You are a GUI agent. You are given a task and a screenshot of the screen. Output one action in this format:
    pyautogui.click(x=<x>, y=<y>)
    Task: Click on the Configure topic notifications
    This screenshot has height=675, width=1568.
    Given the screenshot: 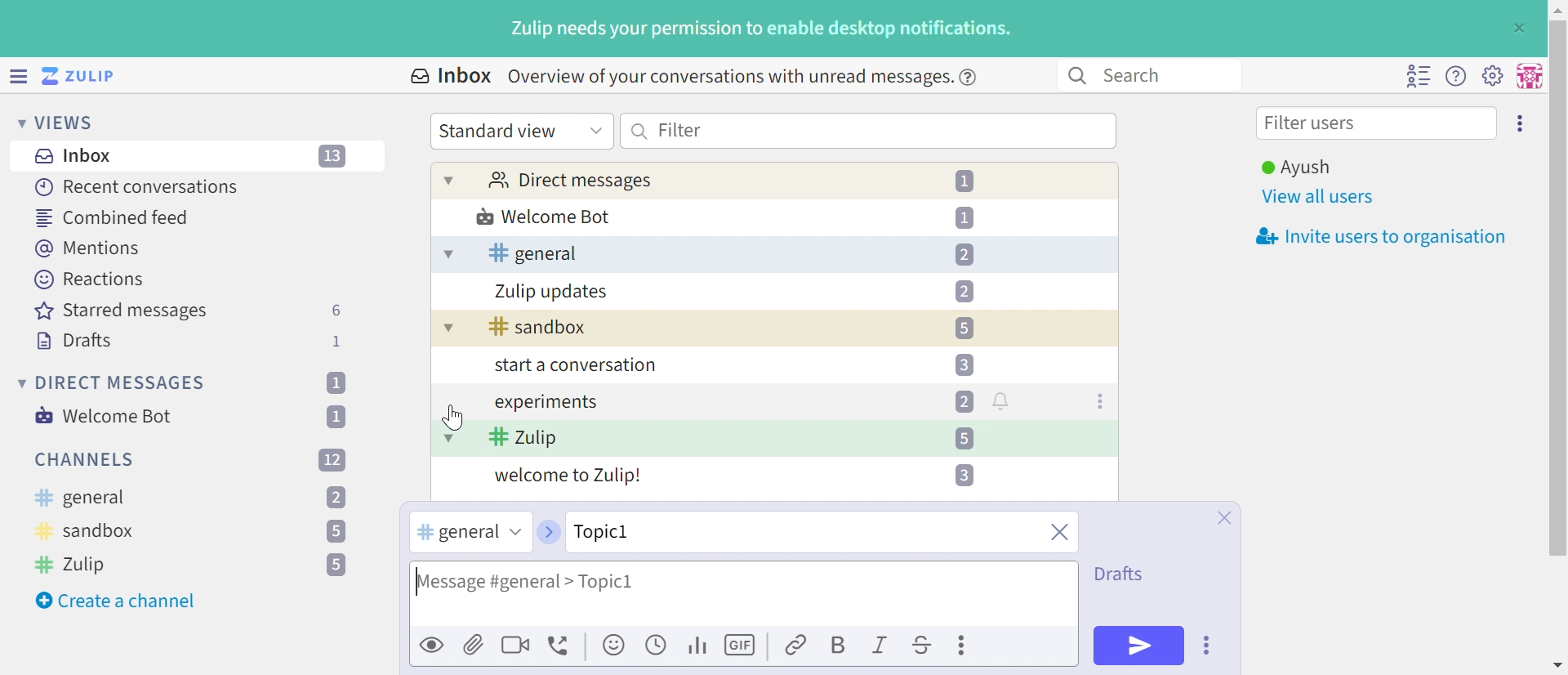 What is the action you would take?
    pyautogui.click(x=1004, y=400)
    